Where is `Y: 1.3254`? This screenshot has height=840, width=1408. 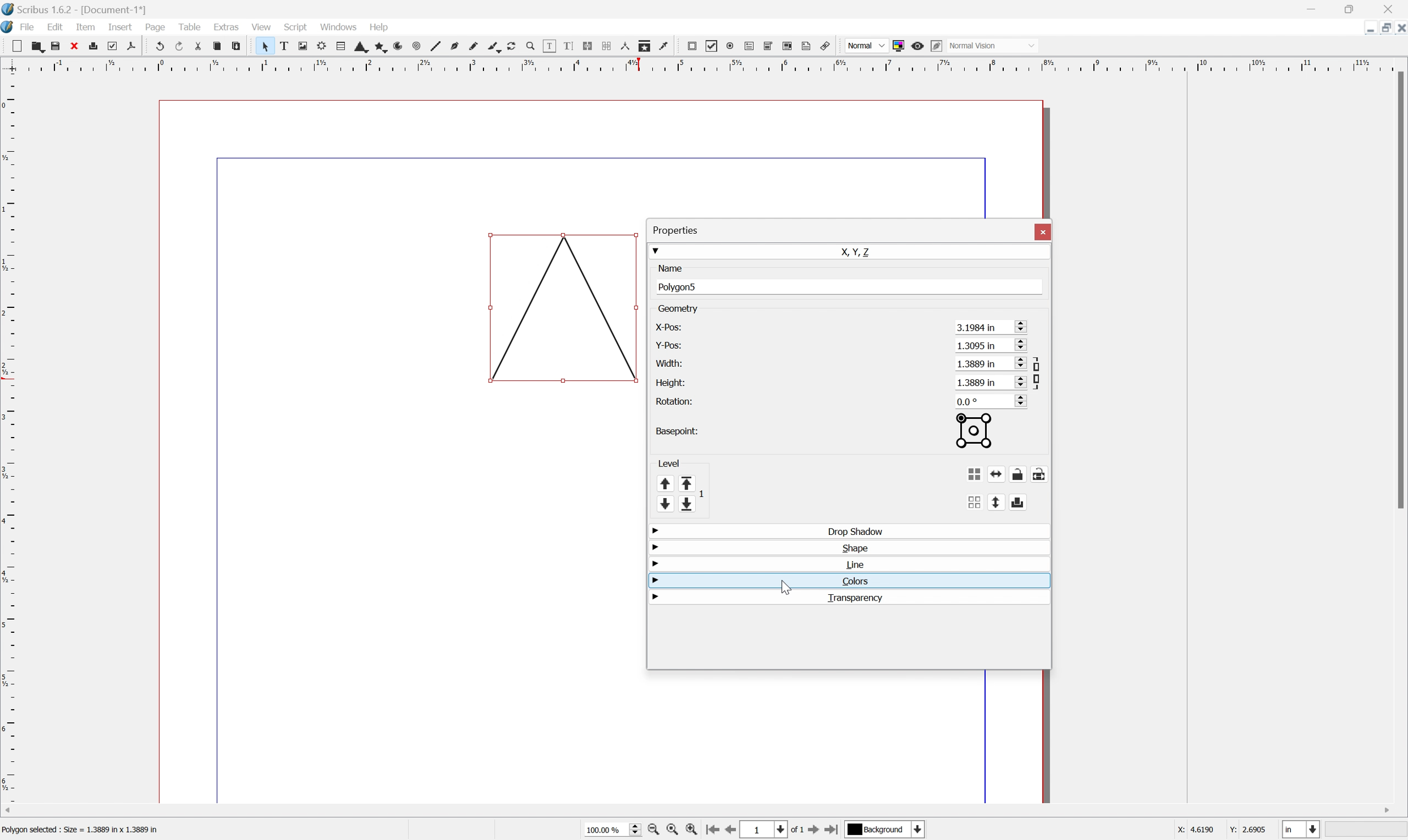 Y: 1.3254 is located at coordinates (1247, 830).